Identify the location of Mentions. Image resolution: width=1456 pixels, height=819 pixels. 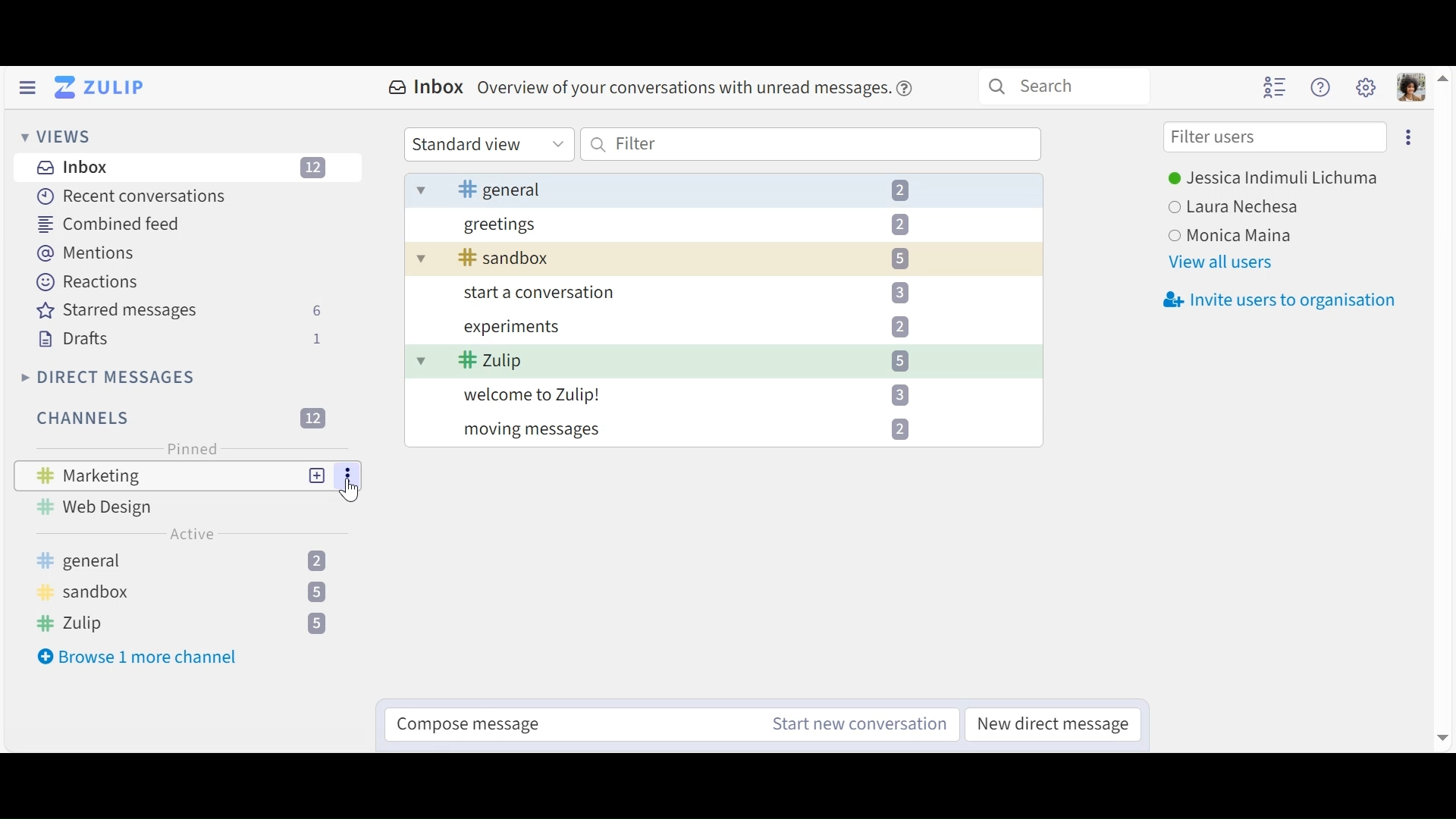
(83, 252).